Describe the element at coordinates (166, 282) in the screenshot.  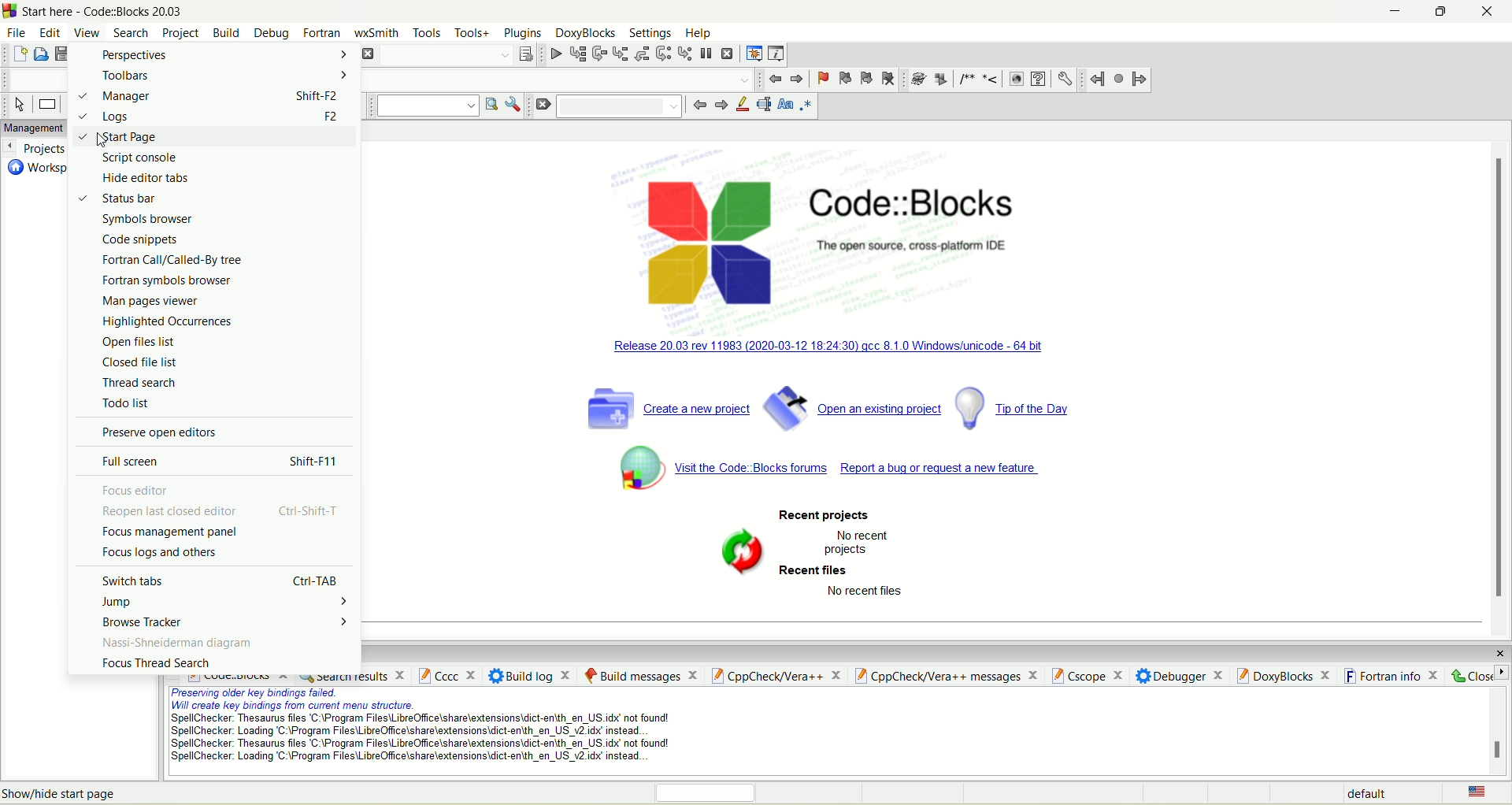
I see `fortran symbols browser` at that location.